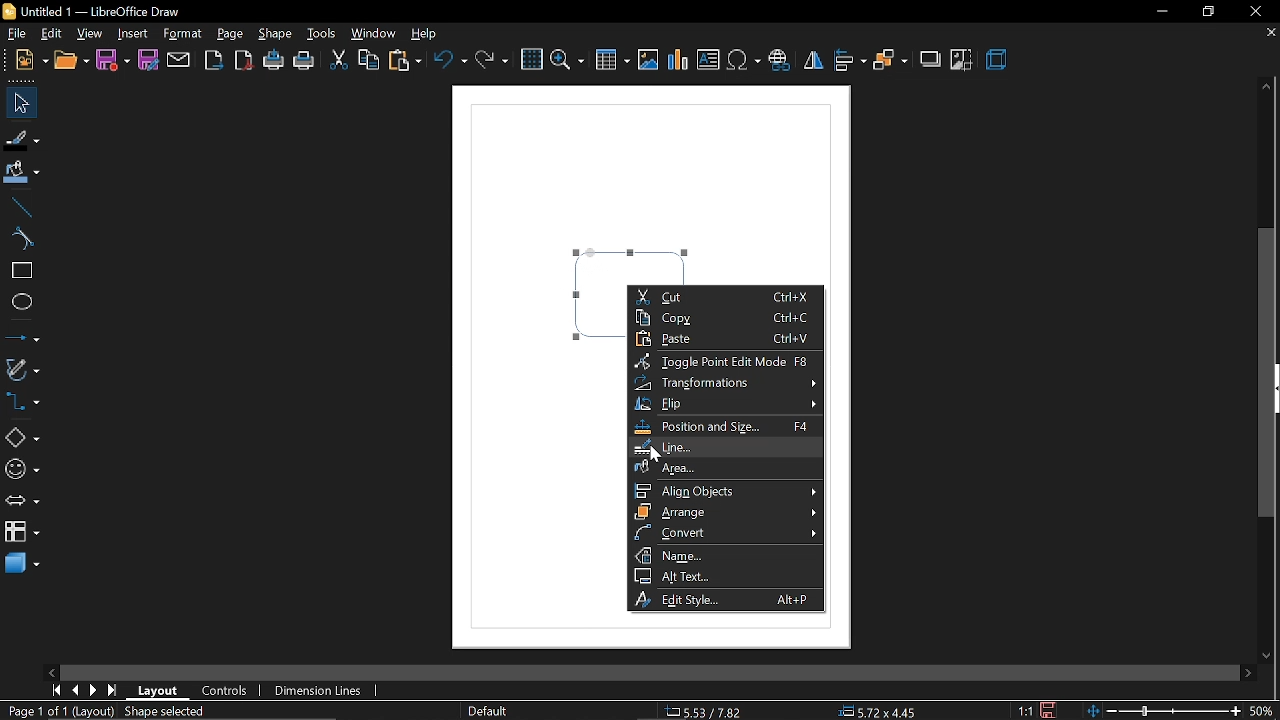 The image size is (1280, 720). I want to click on name, so click(726, 555).